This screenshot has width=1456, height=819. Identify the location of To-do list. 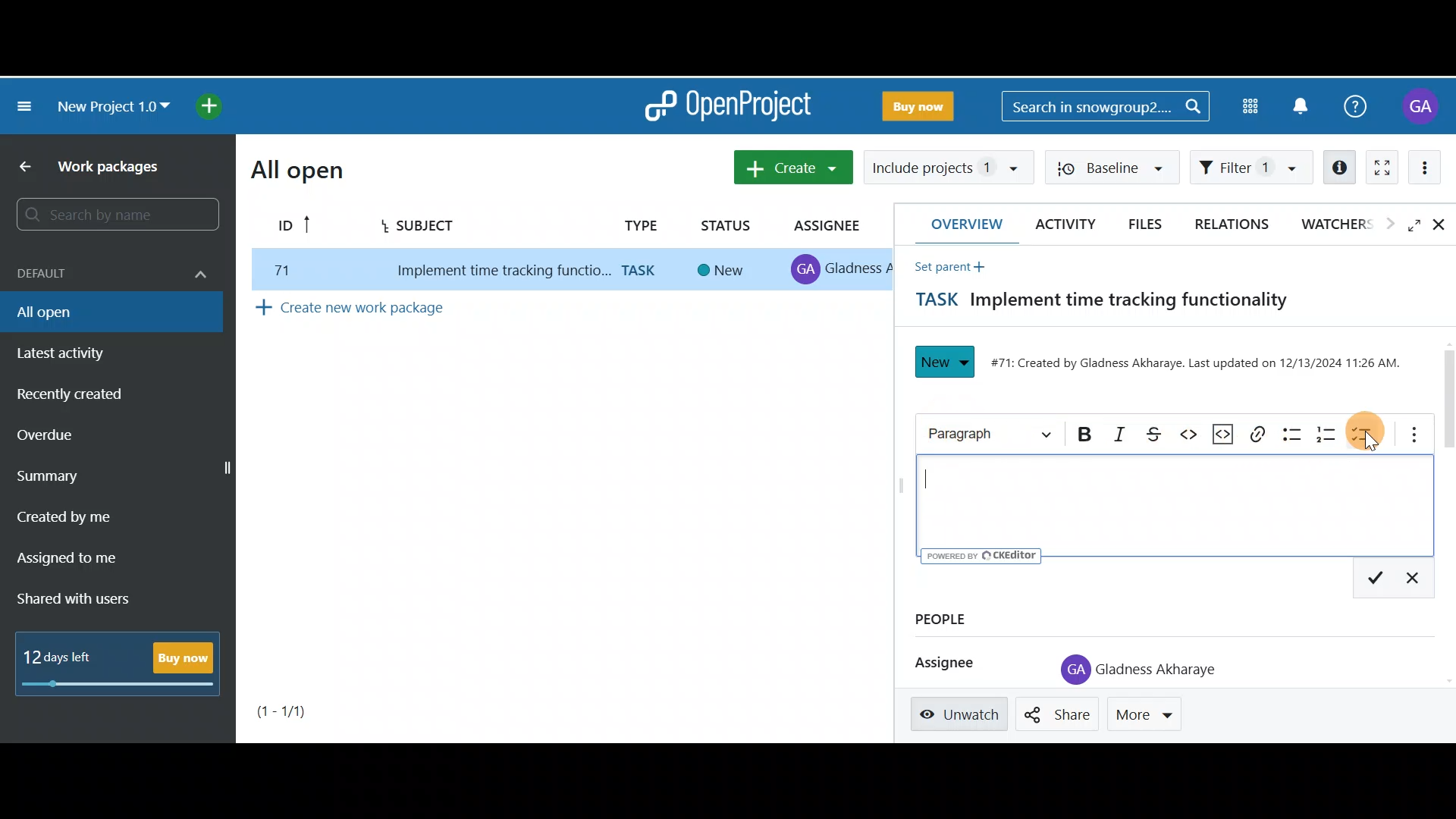
(1366, 431).